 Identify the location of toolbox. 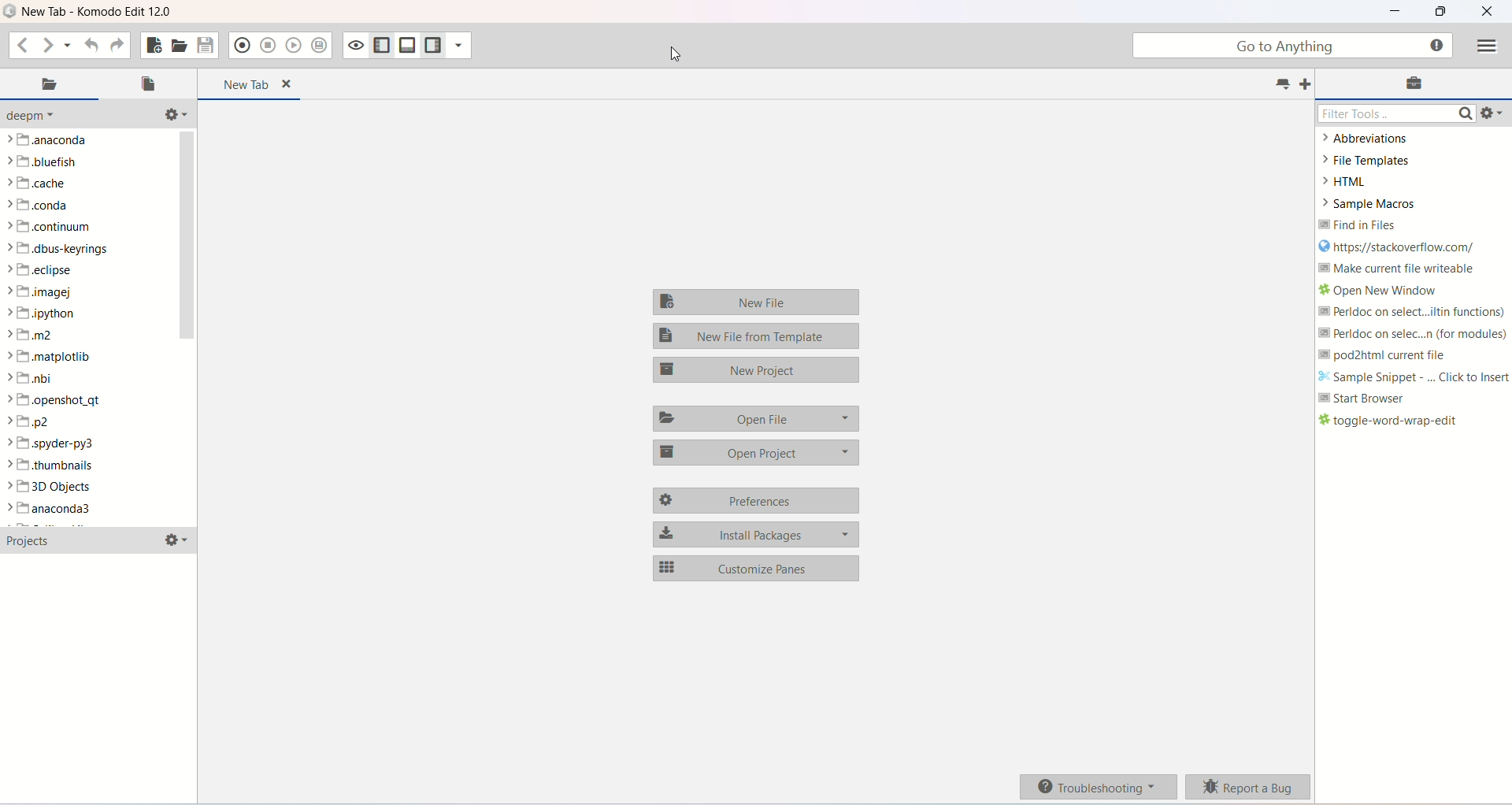
(1414, 82).